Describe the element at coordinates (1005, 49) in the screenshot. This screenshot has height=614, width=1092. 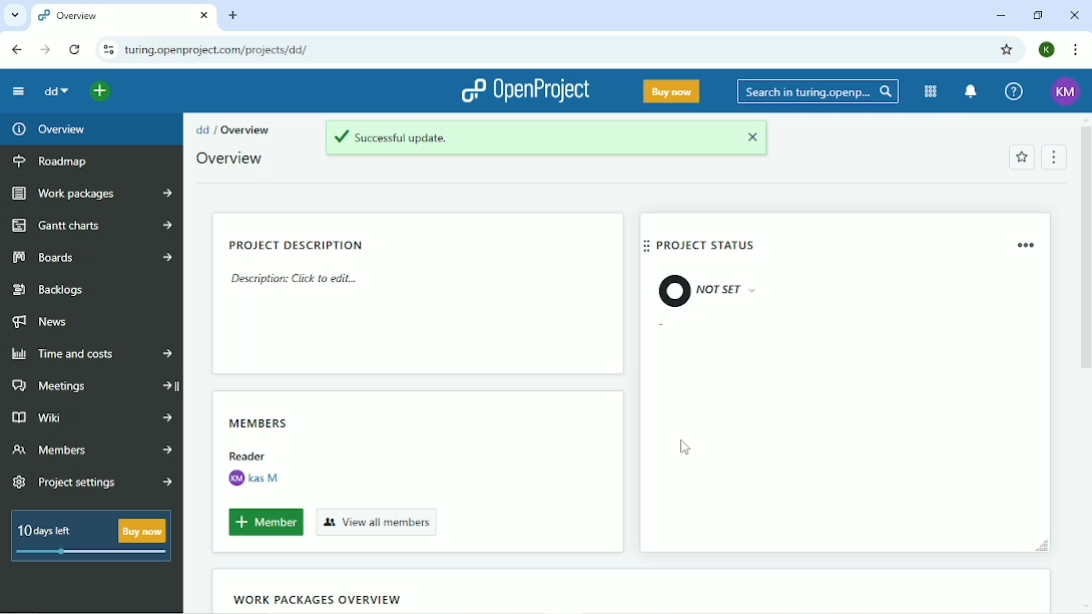
I see `Bookmark this tab` at that location.